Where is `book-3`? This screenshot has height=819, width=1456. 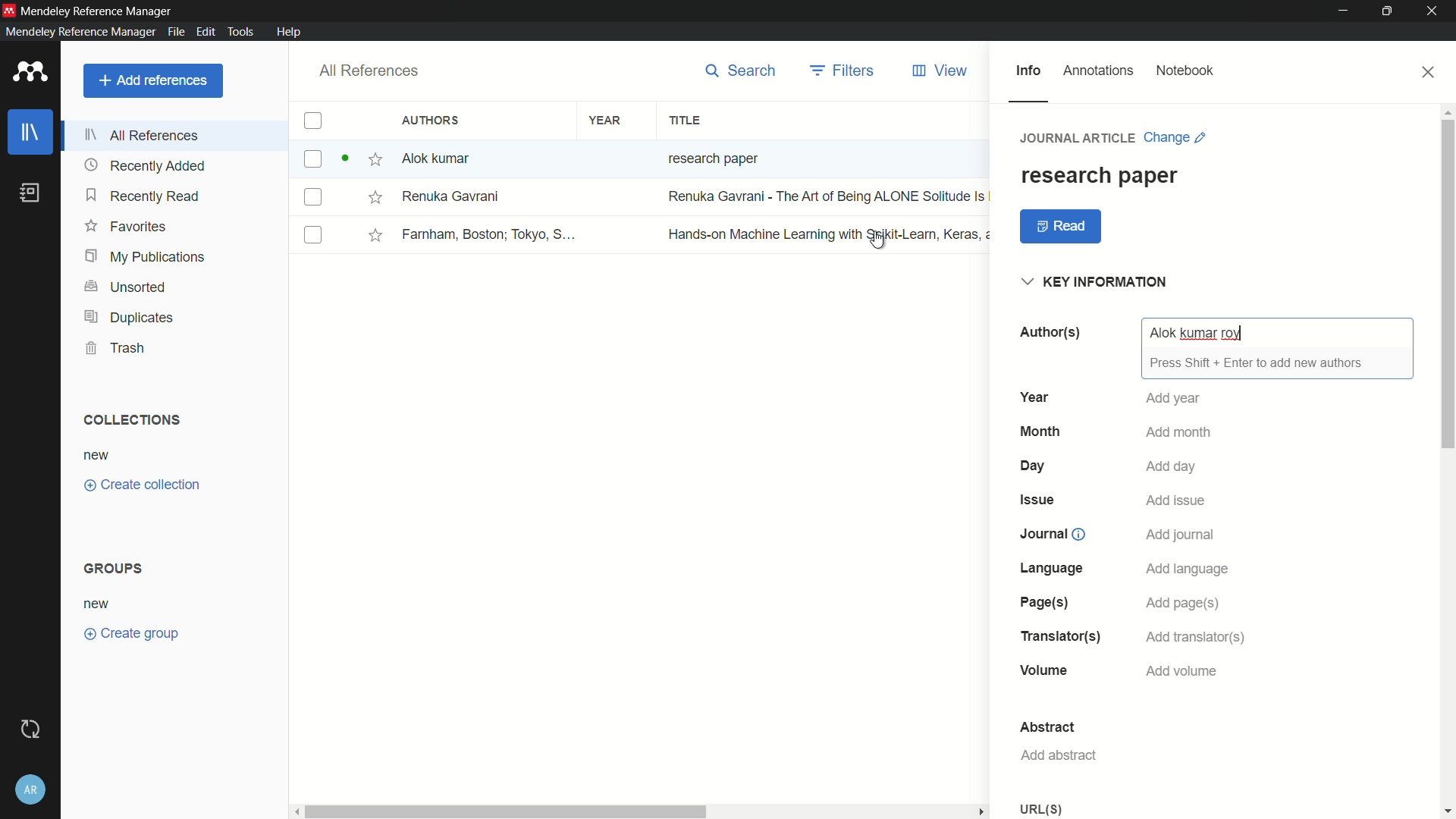
book-3 is located at coordinates (643, 234).